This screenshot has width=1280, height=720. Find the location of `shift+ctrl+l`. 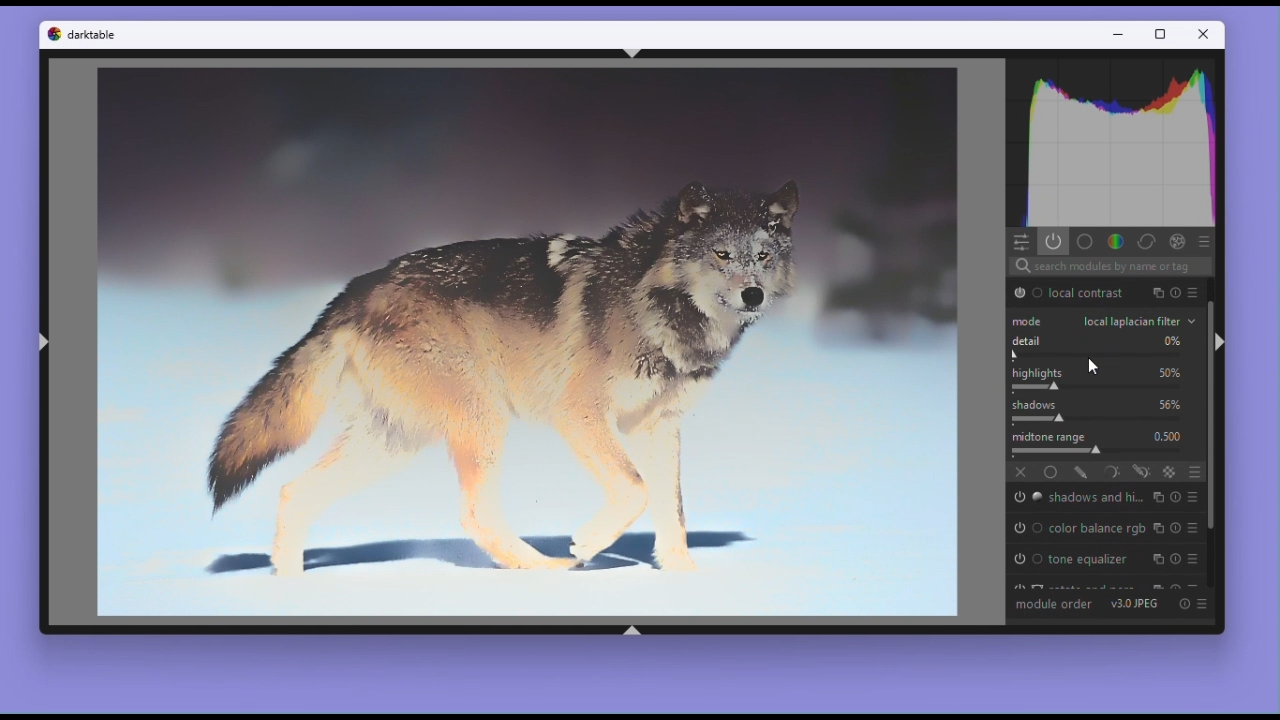

shift+ctrl+l is located at coordinates (42, 346).